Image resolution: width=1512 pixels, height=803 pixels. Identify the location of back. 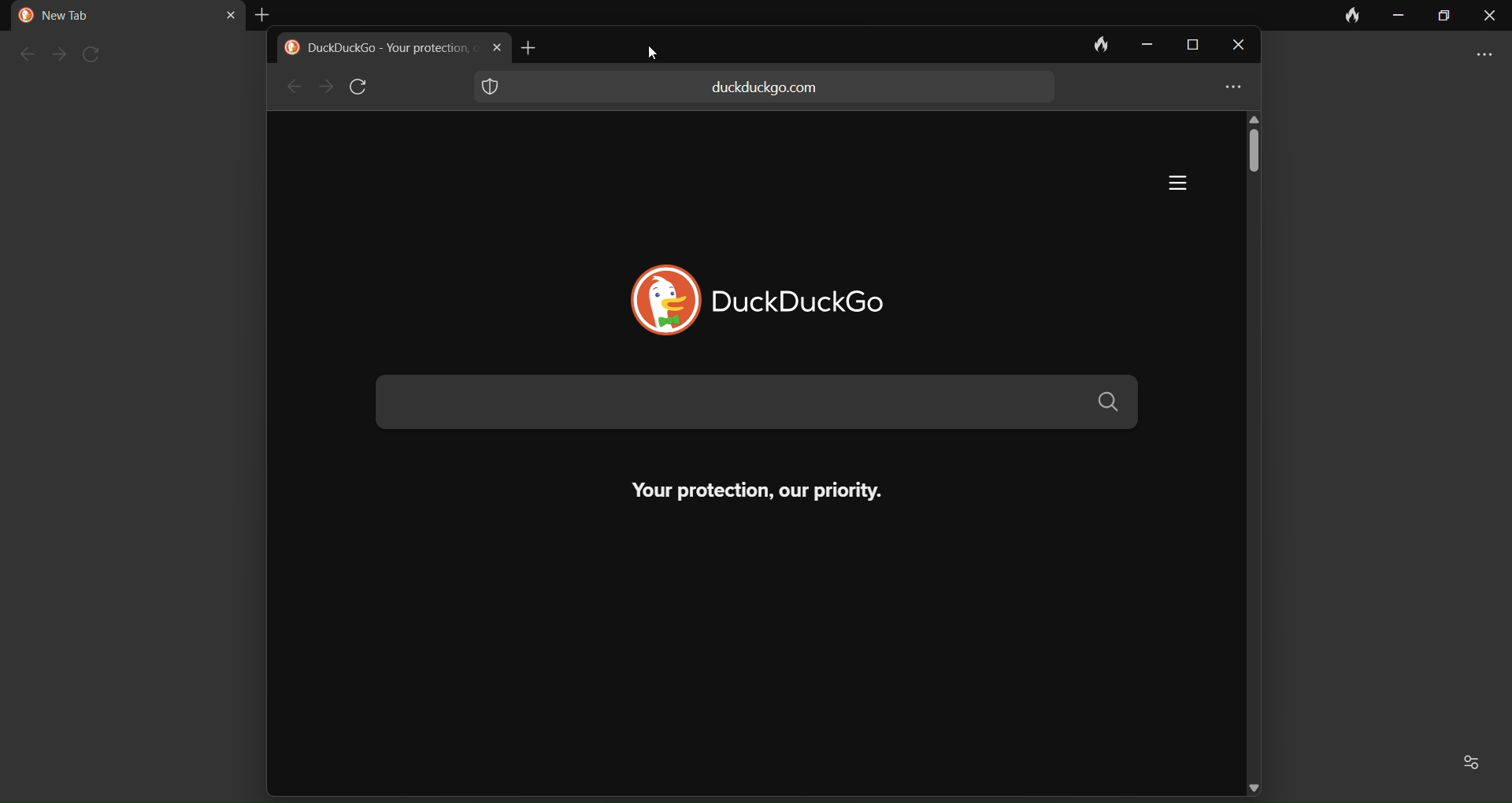
(22, 56).